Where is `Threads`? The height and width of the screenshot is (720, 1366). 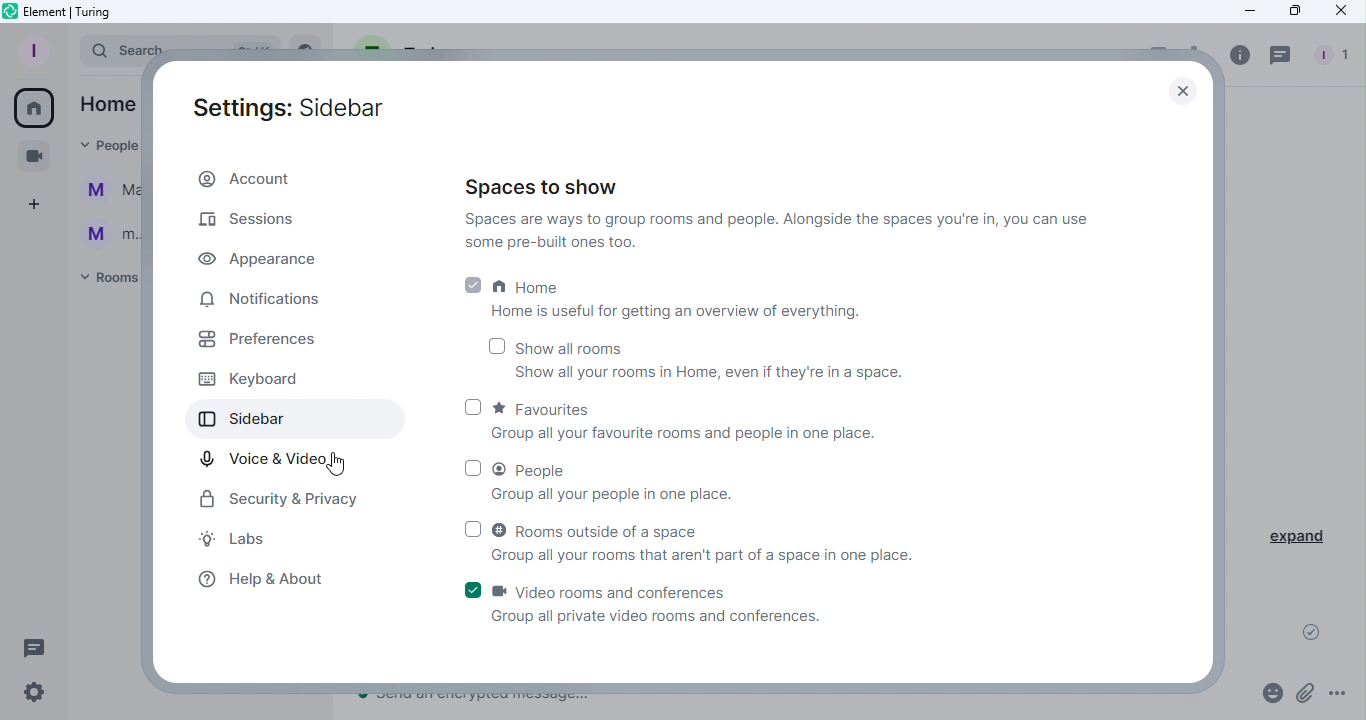 Threads is located at coordinates (37, 647).